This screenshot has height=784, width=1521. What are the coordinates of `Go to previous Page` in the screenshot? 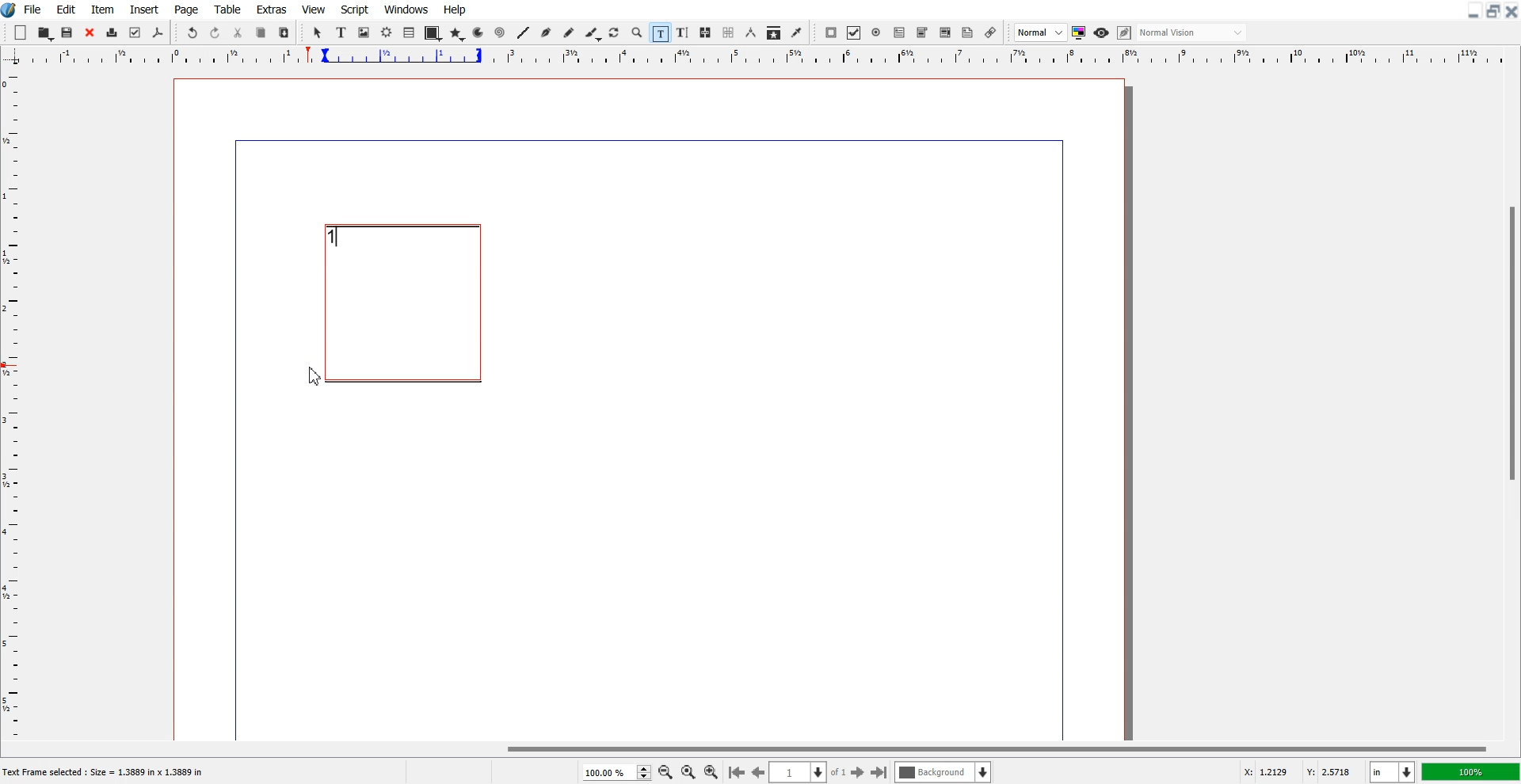 It's located at (759, 771).